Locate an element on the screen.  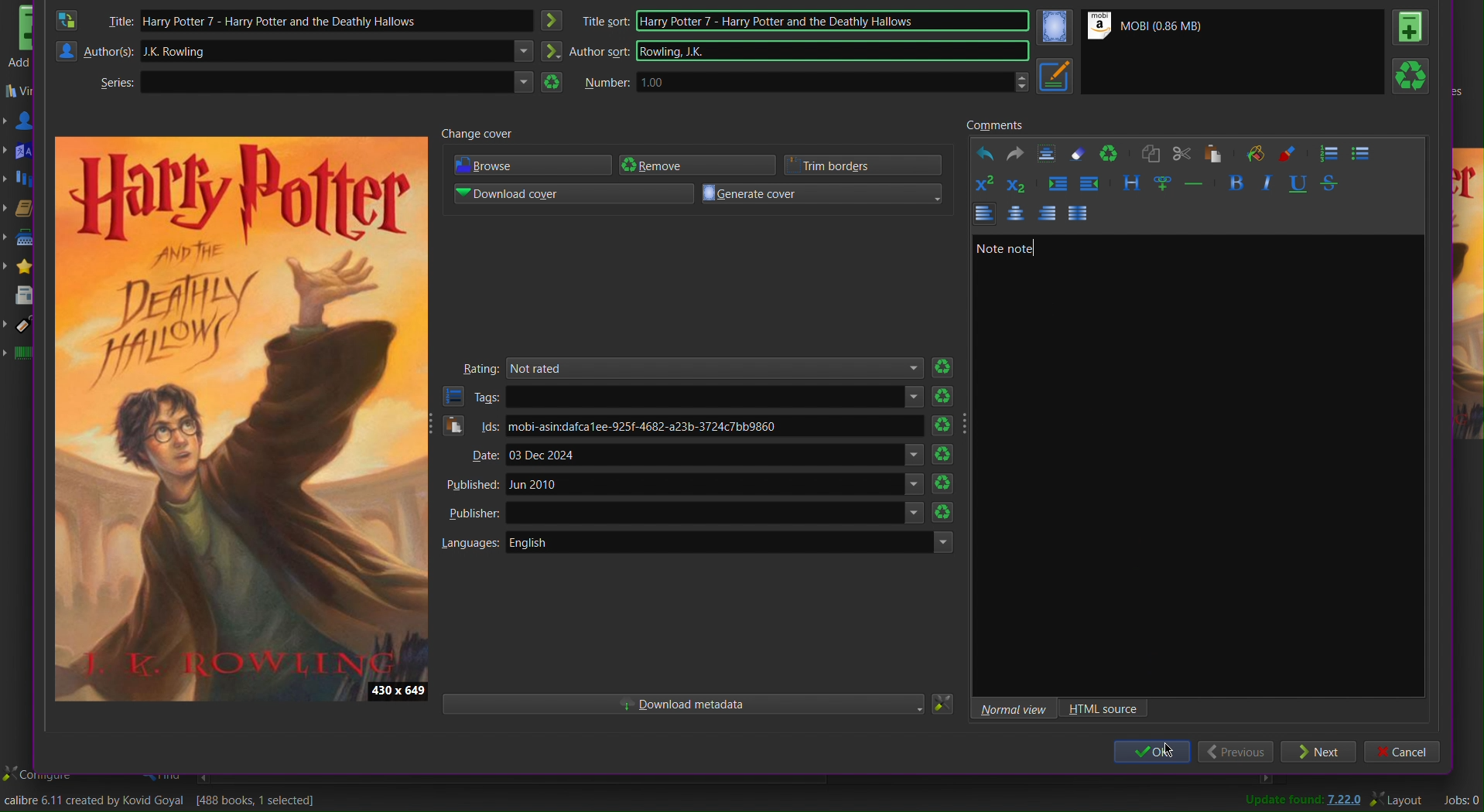
Languages is located at coordinates (470, 544).